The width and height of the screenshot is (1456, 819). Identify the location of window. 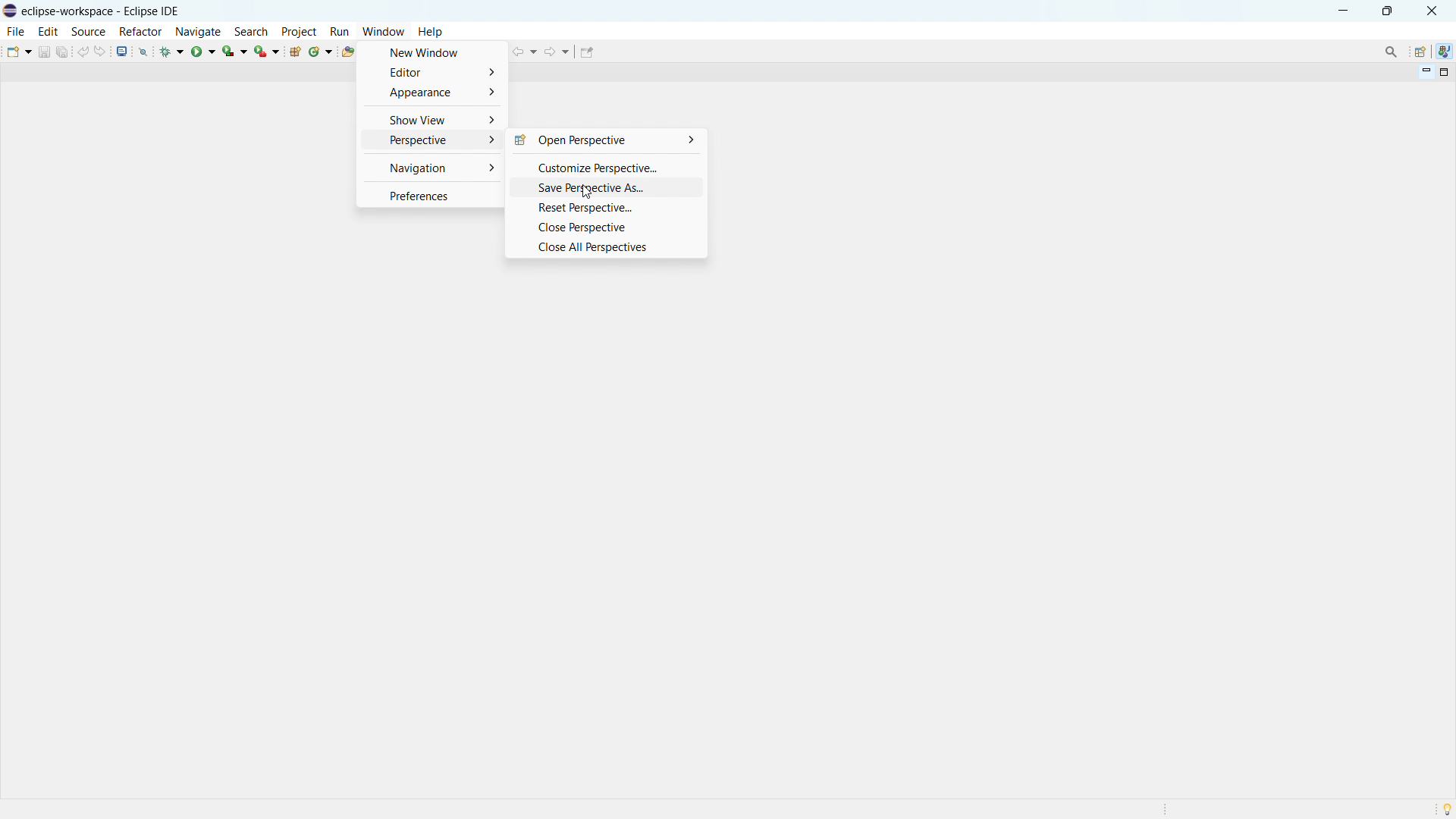
(383, 31).